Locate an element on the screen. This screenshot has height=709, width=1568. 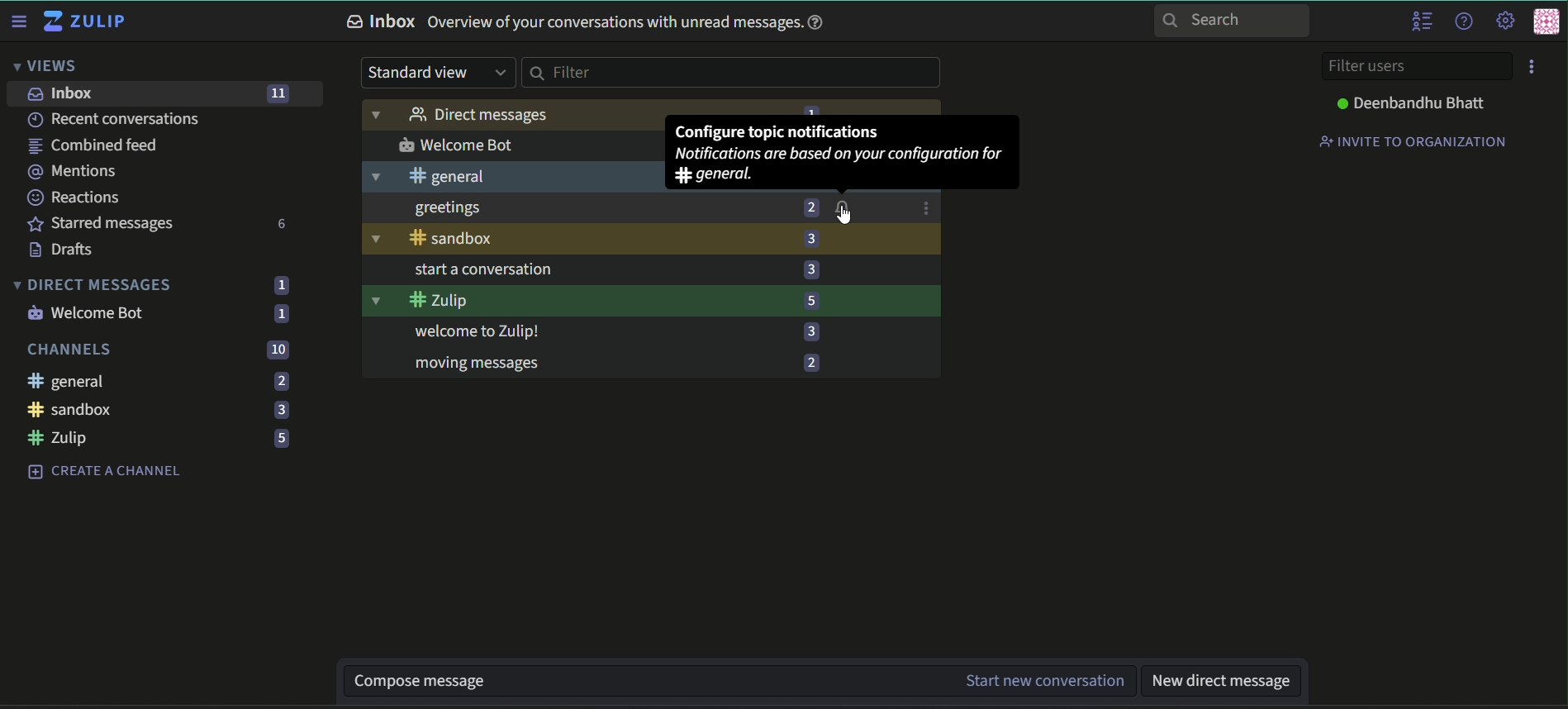
Deenbandhu Bhatt is located at coordinates (1414, 102).